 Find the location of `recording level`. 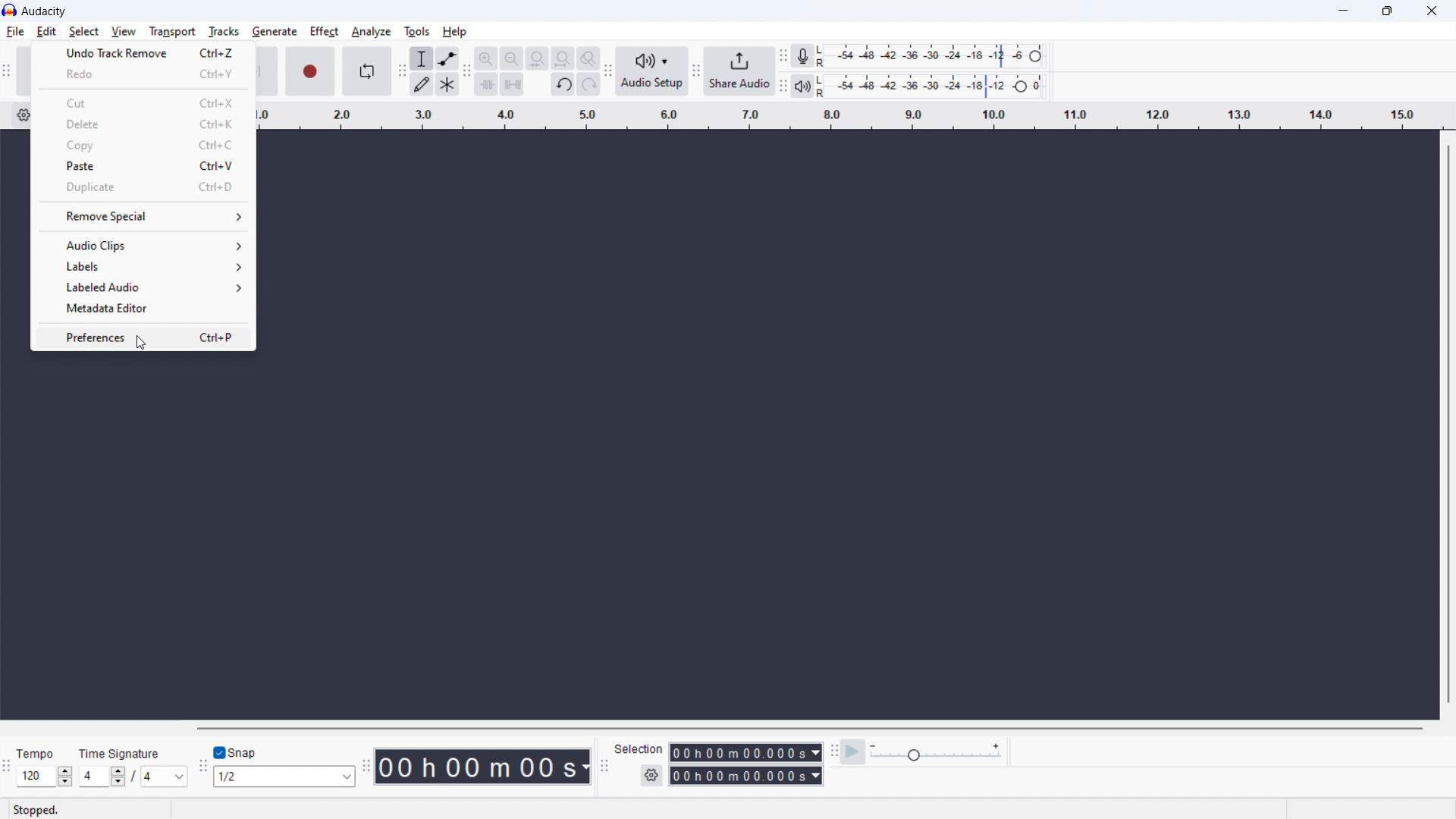

recording level is located at coordinates (919, 56).